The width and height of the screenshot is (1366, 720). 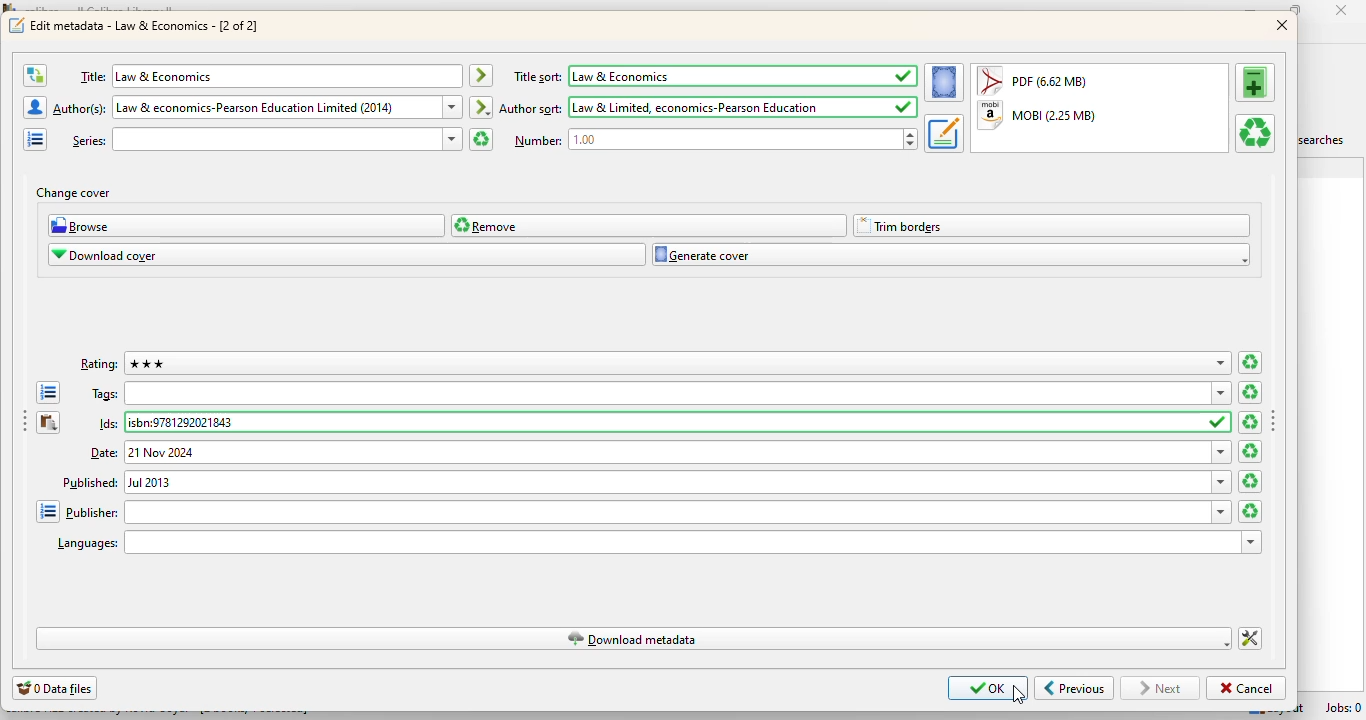 I want to click on edit metadata, so click(x=146, y=25).